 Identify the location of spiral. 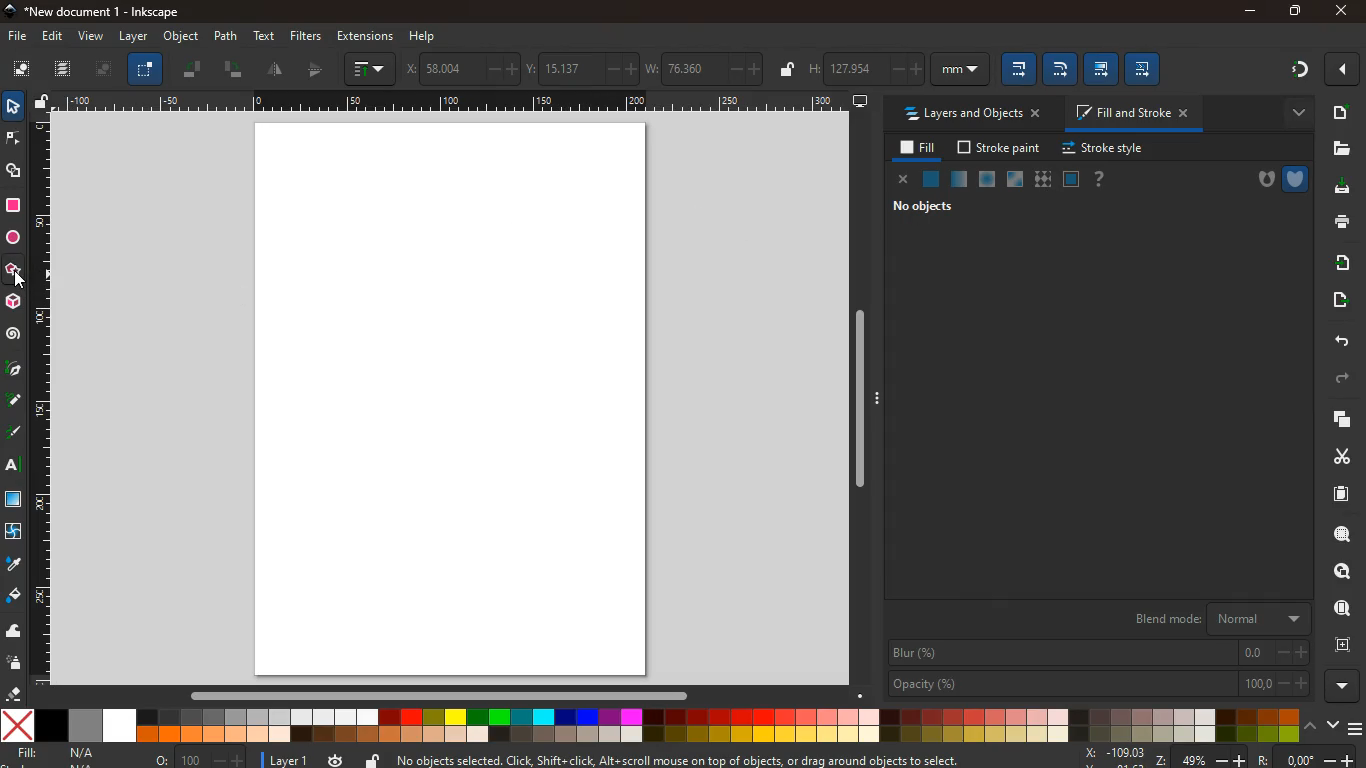
(15, 338).